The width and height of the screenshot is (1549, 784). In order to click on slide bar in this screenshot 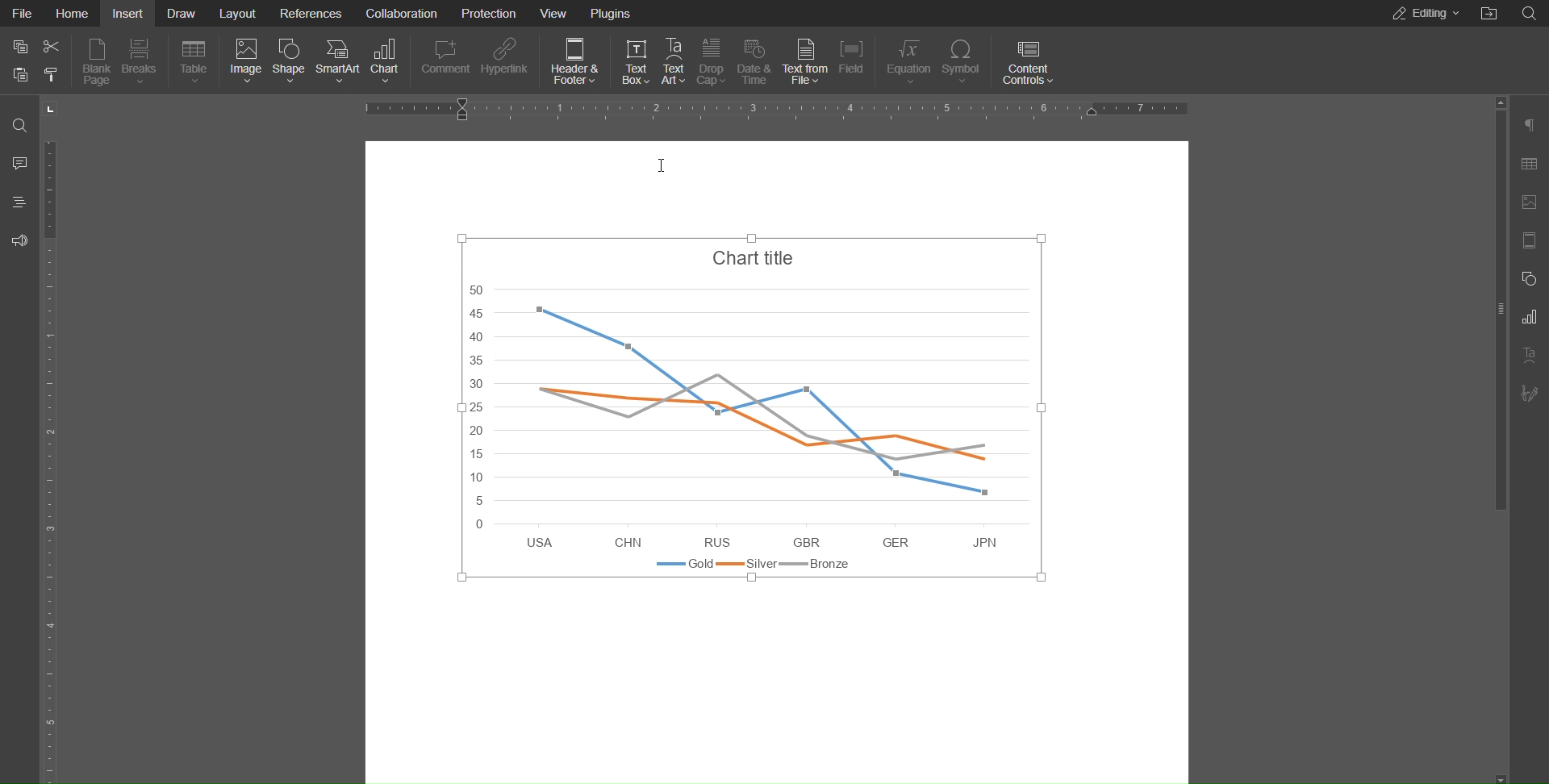, I will do `click(1493, 307)`.